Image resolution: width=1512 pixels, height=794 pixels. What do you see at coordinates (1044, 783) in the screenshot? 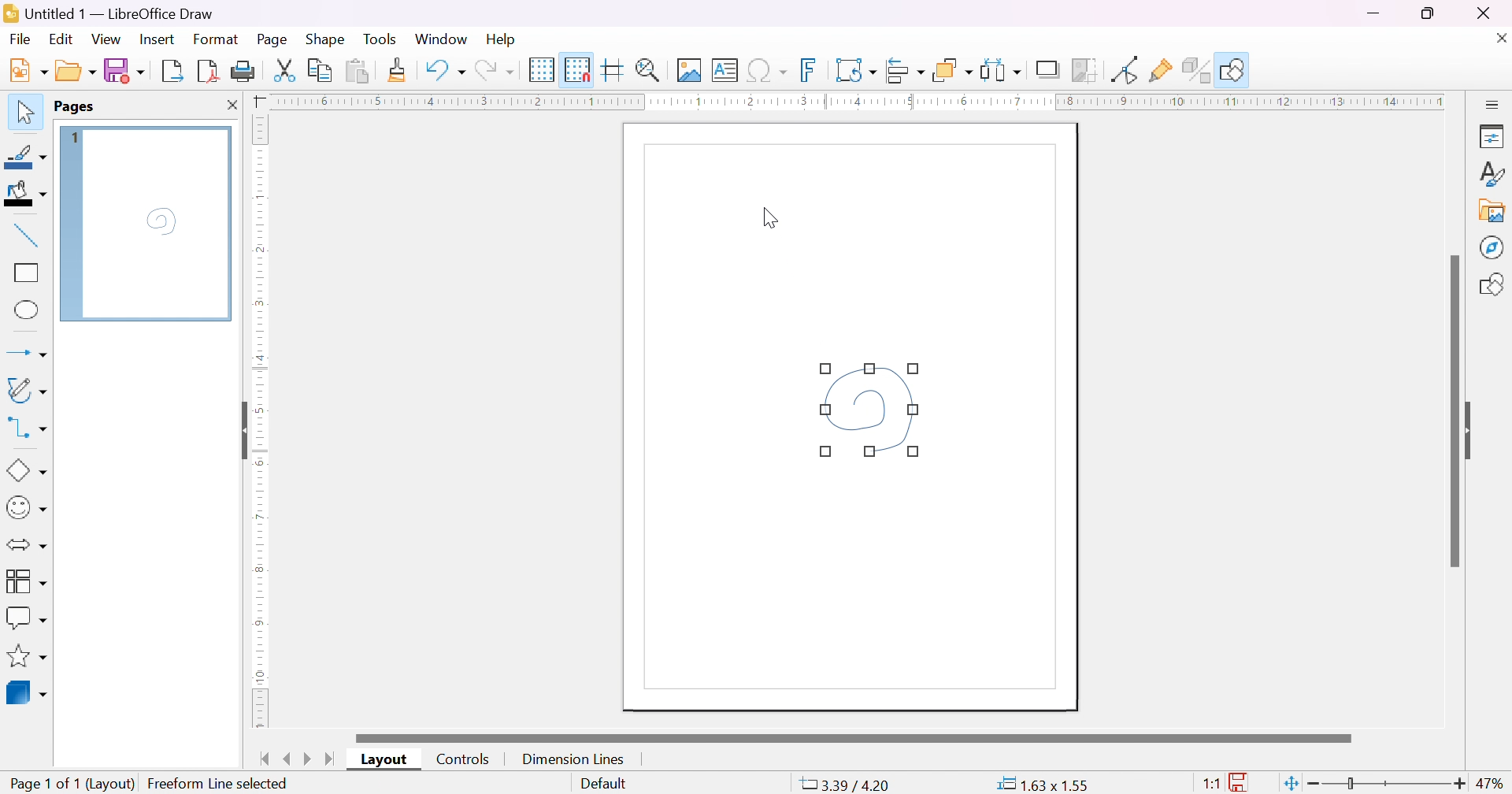
I see `0.00*0.00` at bounding box center [1044, 783].